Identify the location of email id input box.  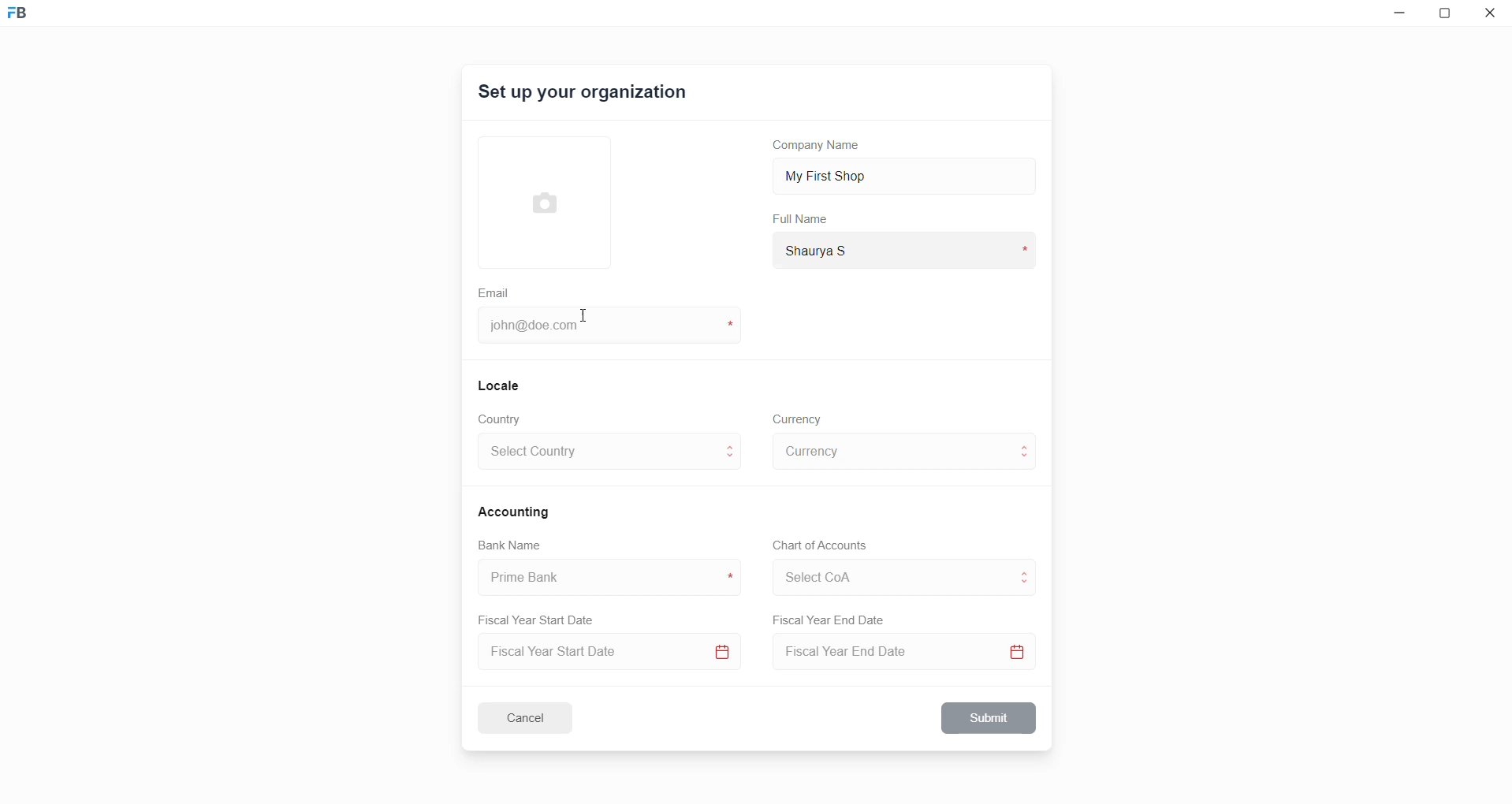
(601, 327).